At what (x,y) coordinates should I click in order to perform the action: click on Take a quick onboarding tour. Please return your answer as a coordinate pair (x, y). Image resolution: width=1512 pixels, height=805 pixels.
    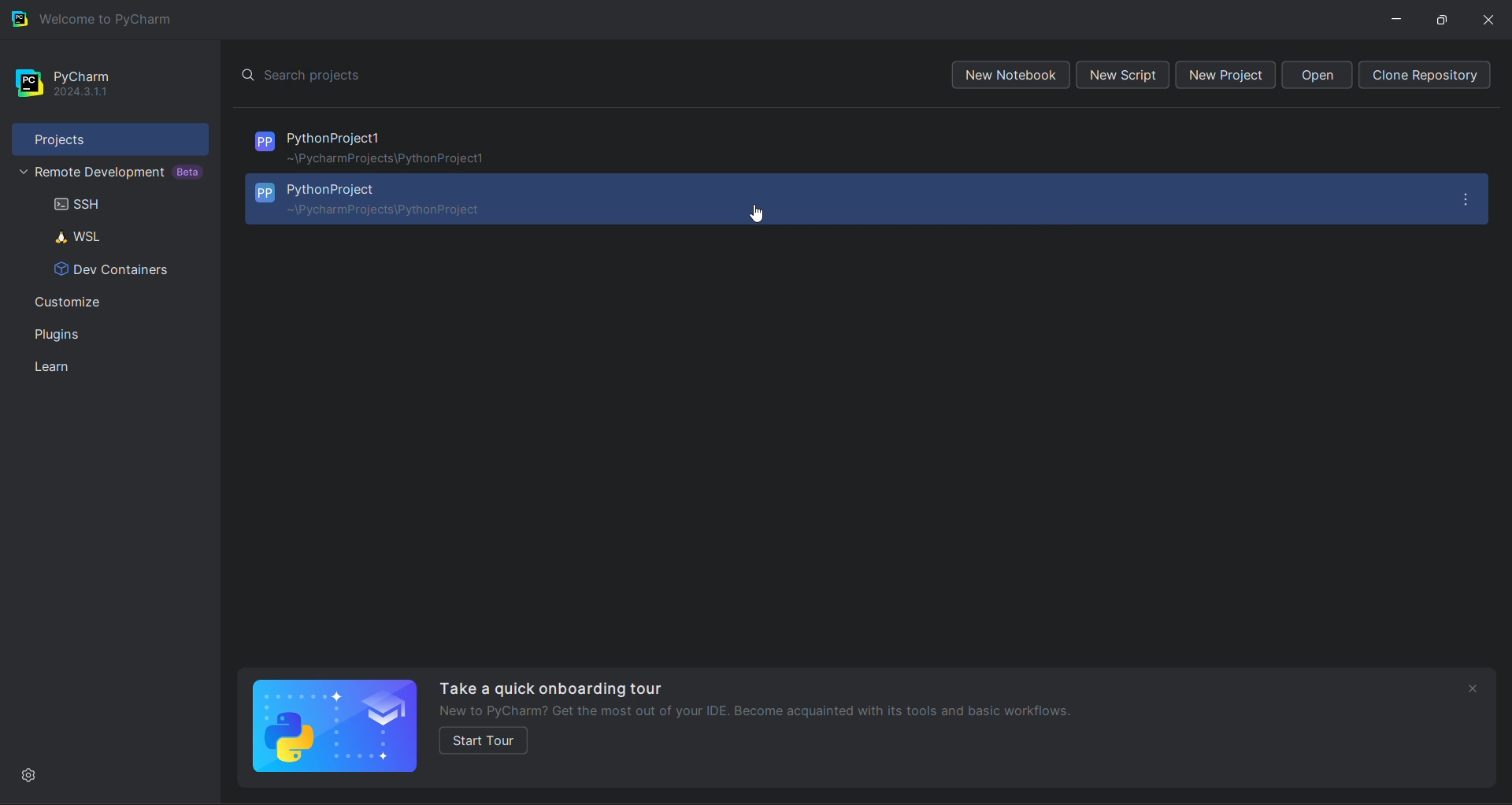
    Looking at the image, I should click on (550, 686).